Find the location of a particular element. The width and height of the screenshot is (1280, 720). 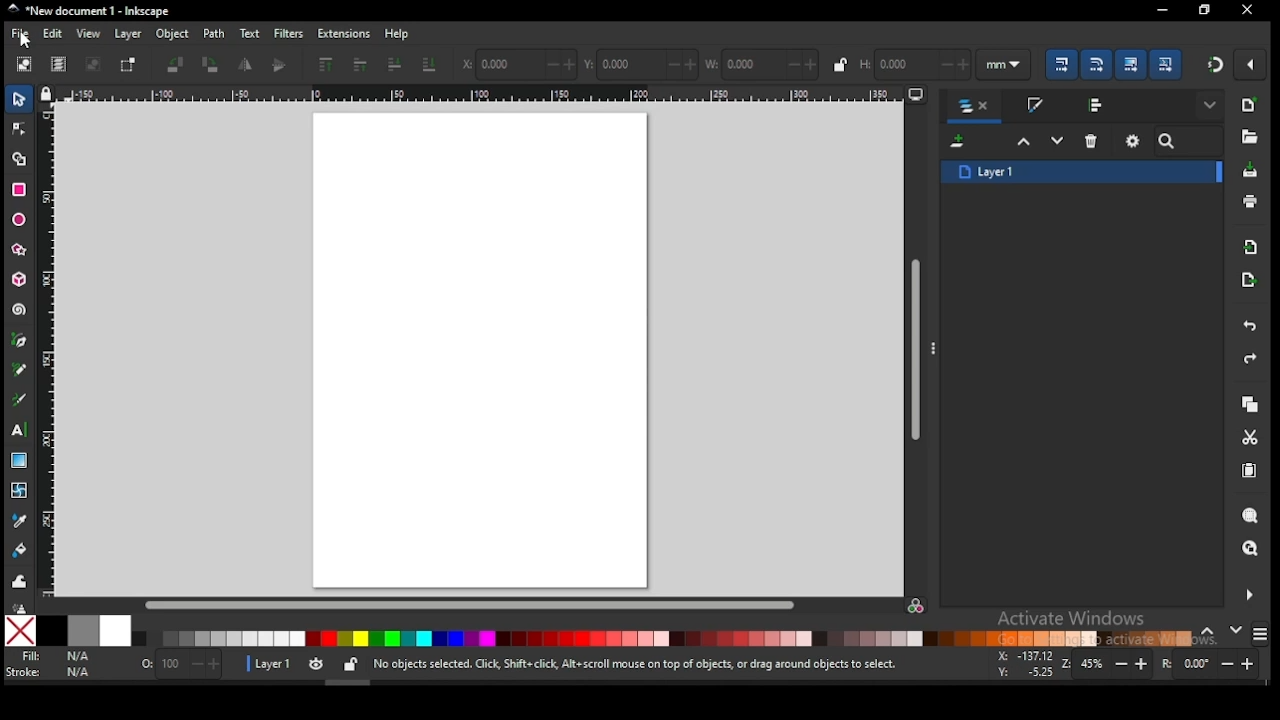

document (white color) is located at coordinates (481, 350).